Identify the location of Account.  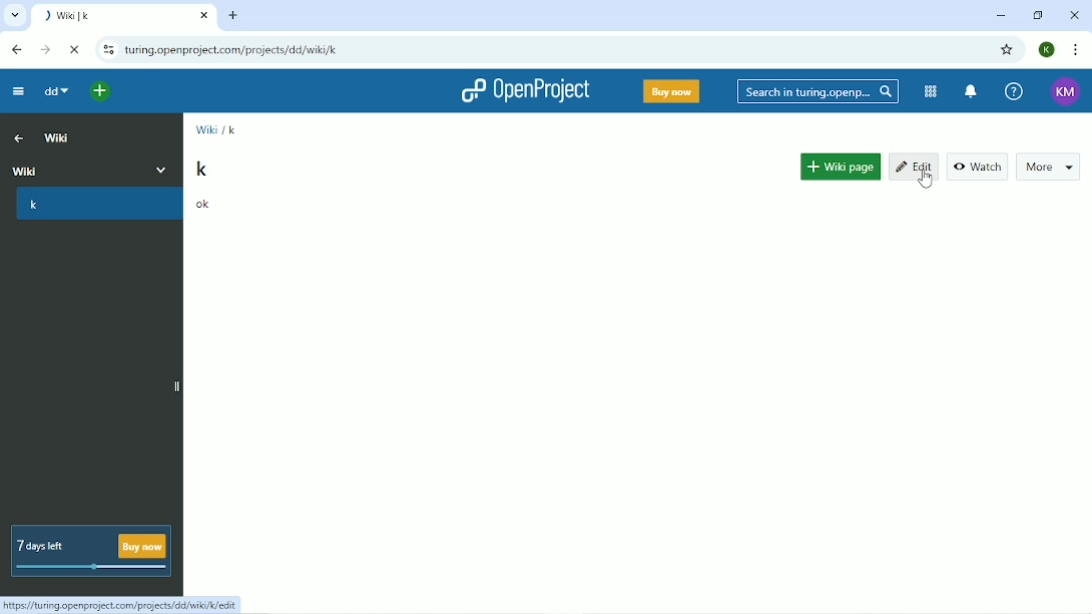
(1047, 49).